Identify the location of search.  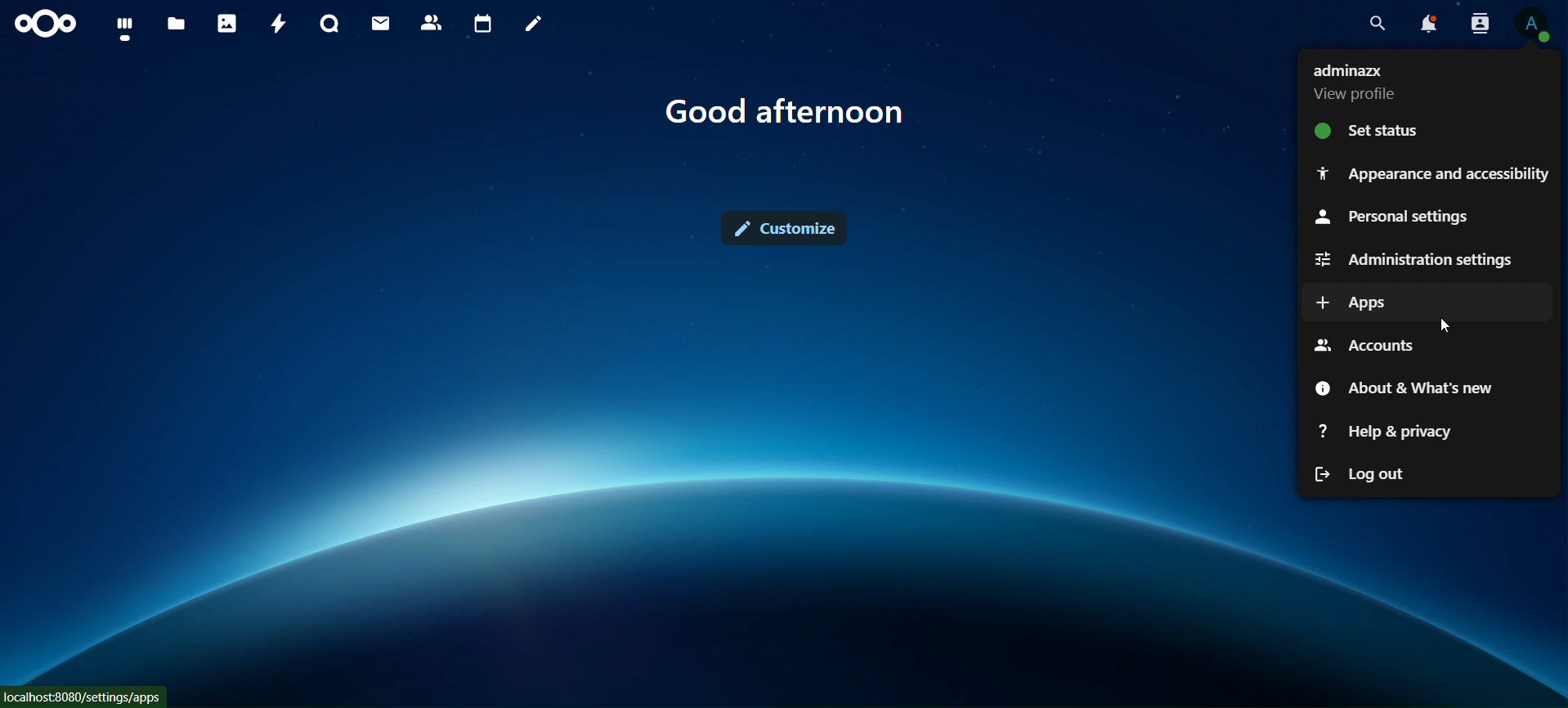
(1375, 24).